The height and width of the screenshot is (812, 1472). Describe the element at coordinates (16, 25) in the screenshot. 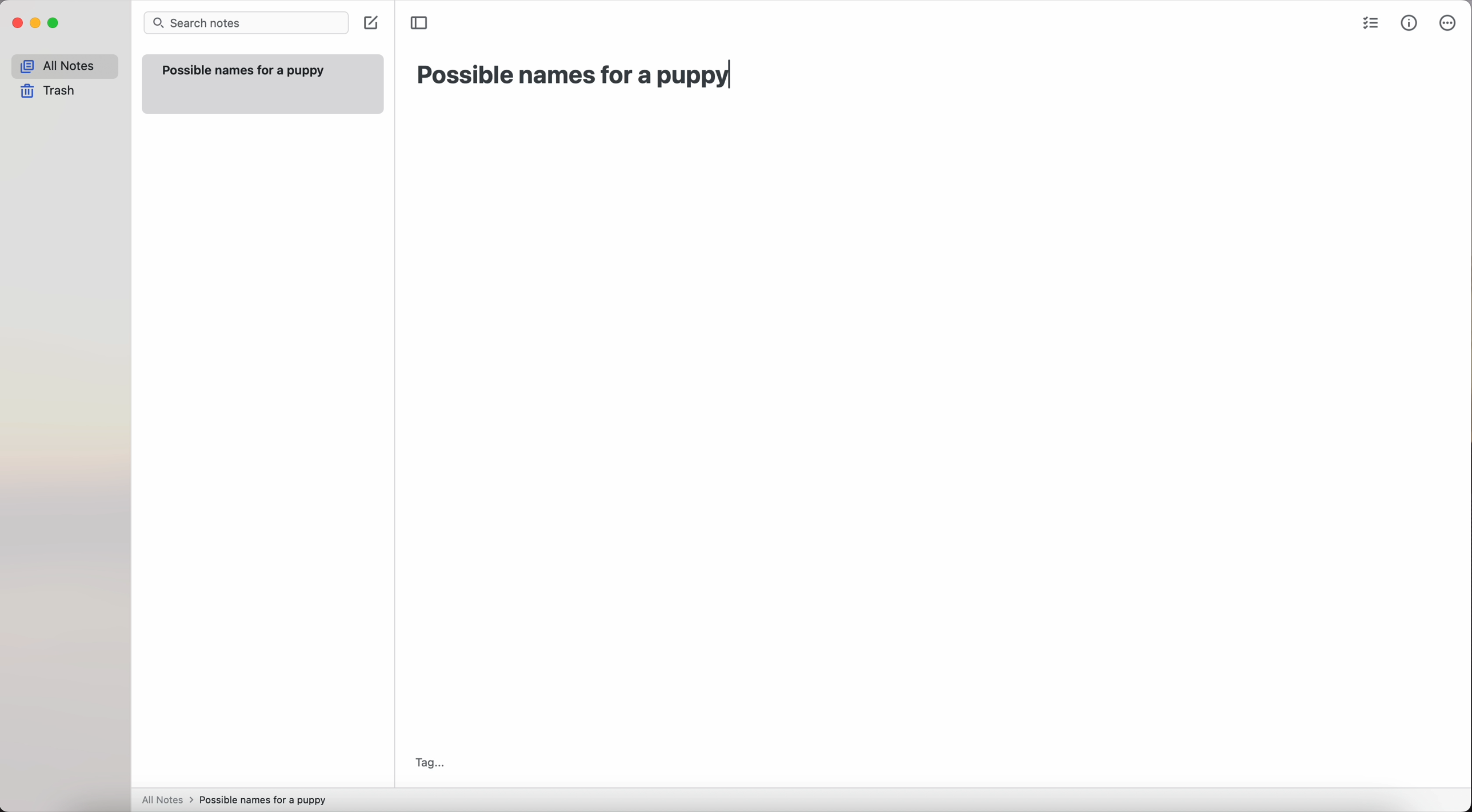

I see `close` at that location.